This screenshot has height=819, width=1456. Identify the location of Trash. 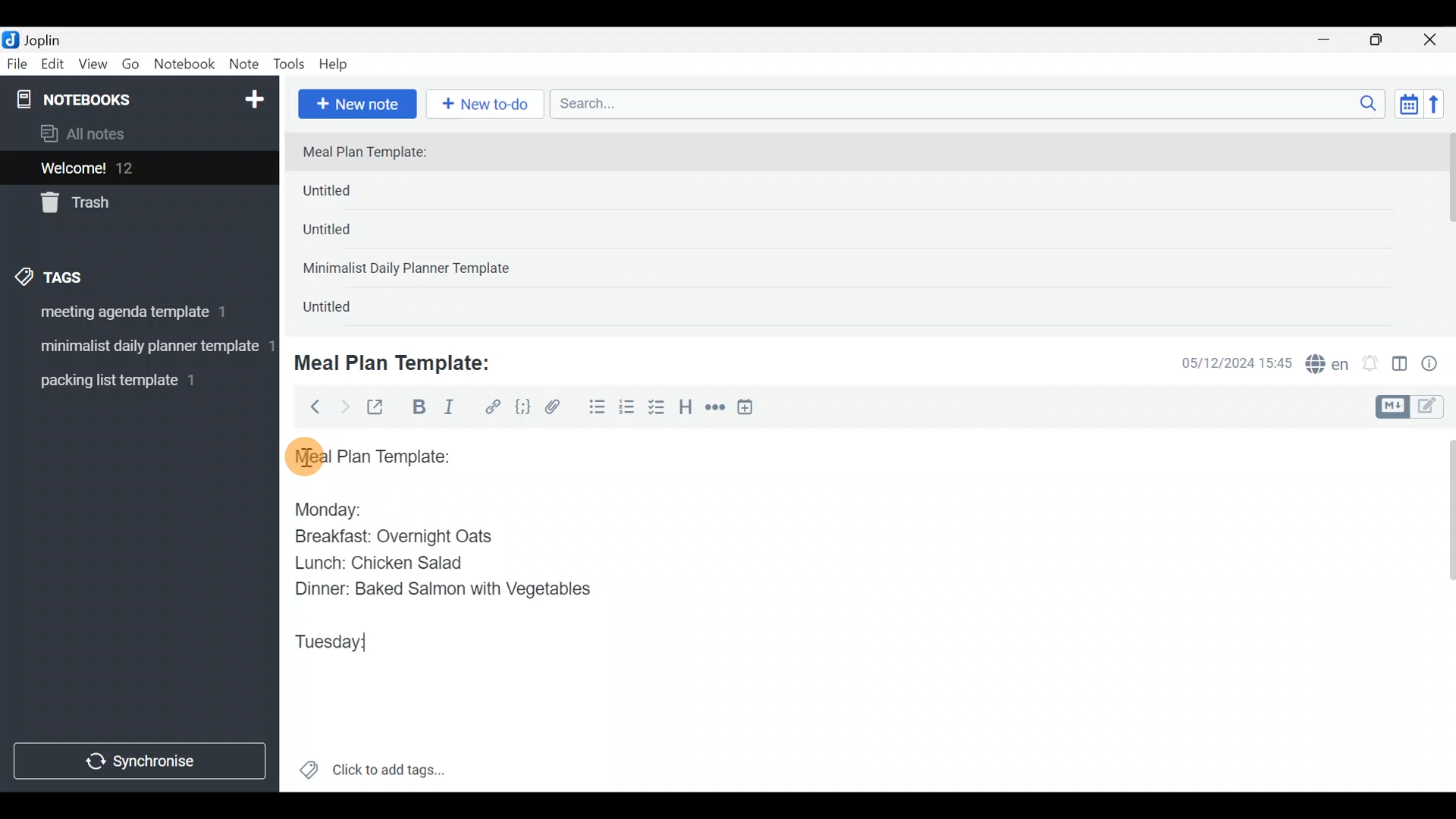
(130, 204).